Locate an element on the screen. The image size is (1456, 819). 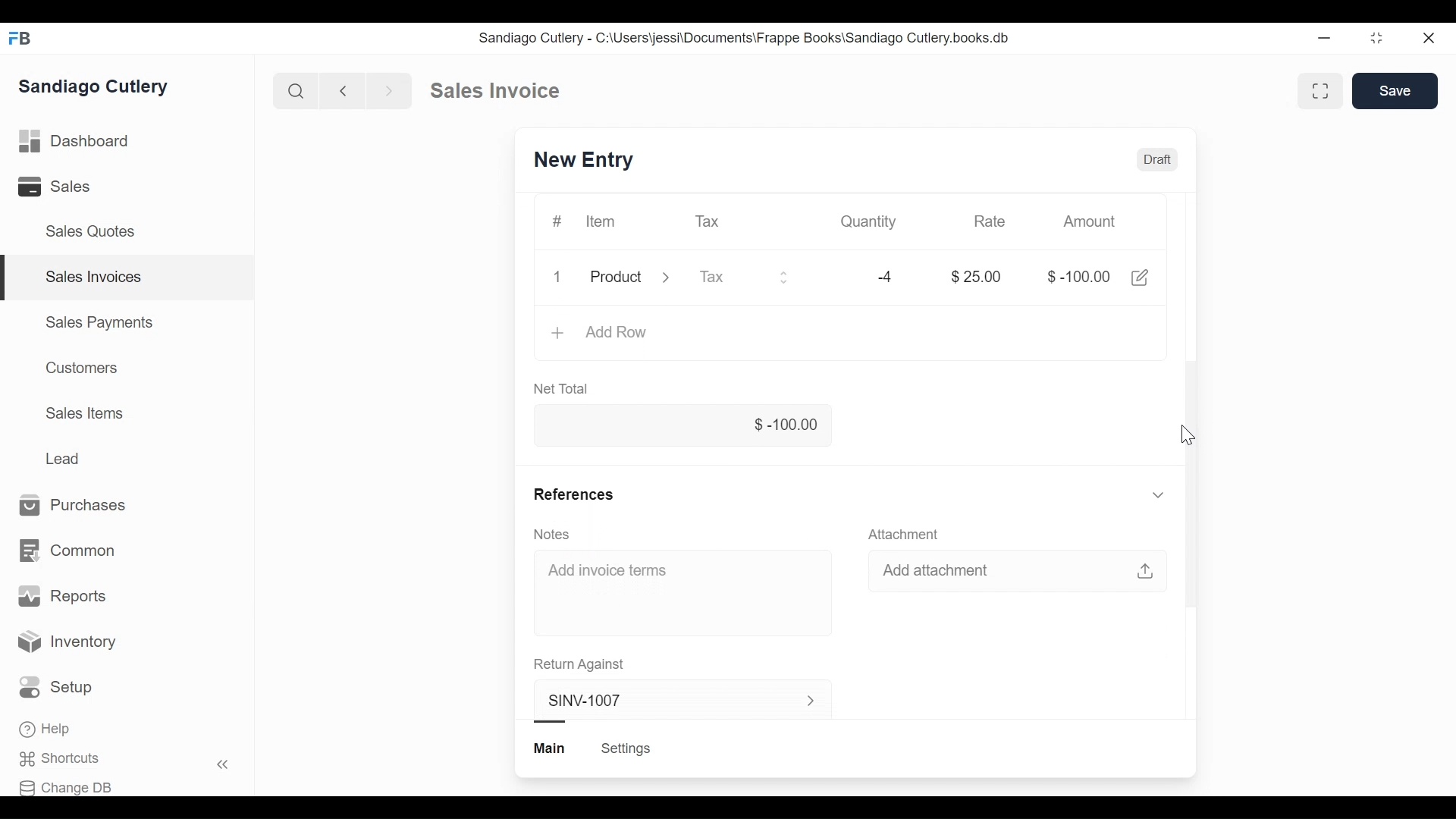
Product is located at coordinates (629, 278).